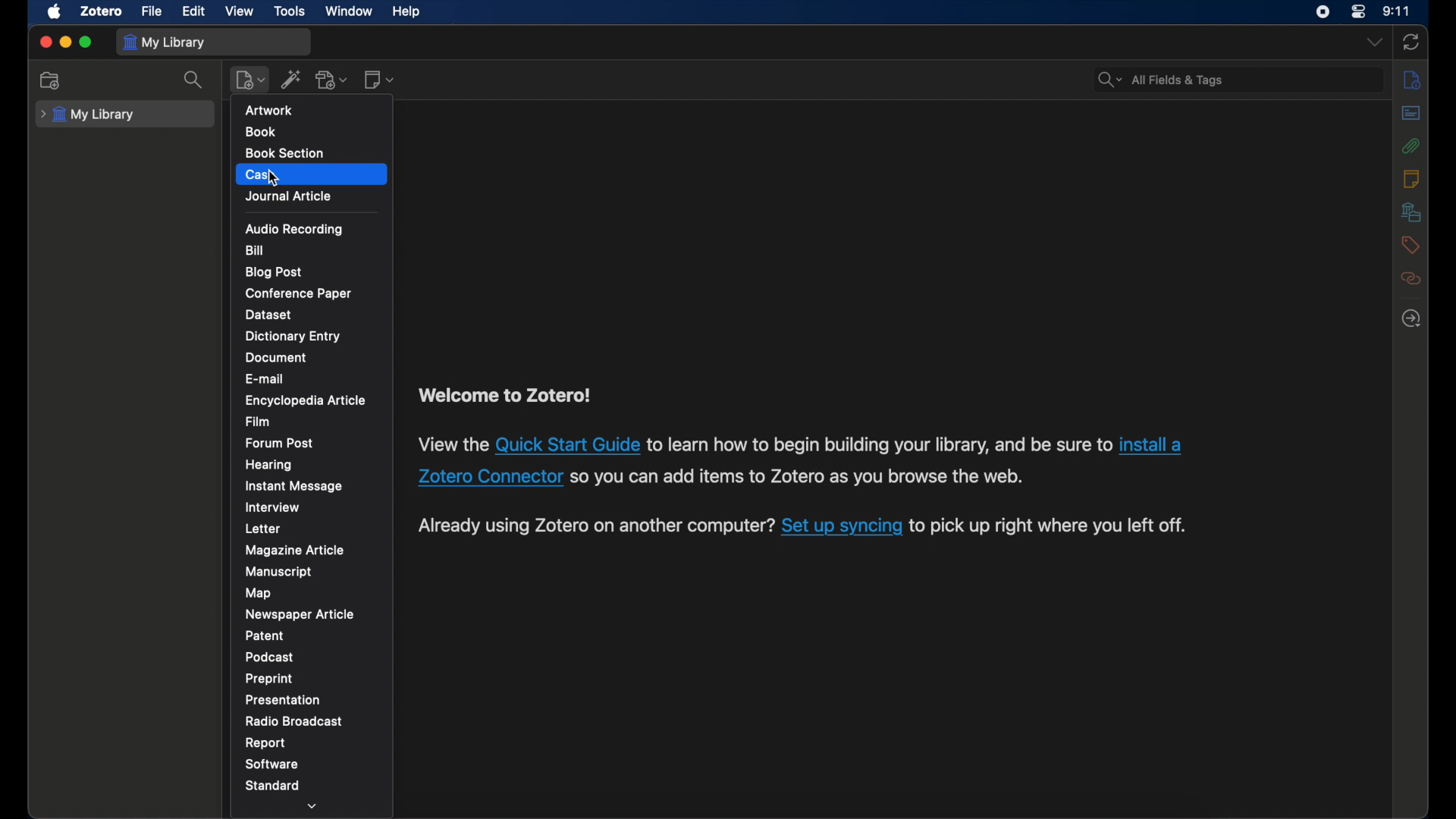 The height and width of the screenshot is (819, 1456). What do you see at coordinates (195, 80) in the screenshot?
I see `search` at bounding box center [195, 80].